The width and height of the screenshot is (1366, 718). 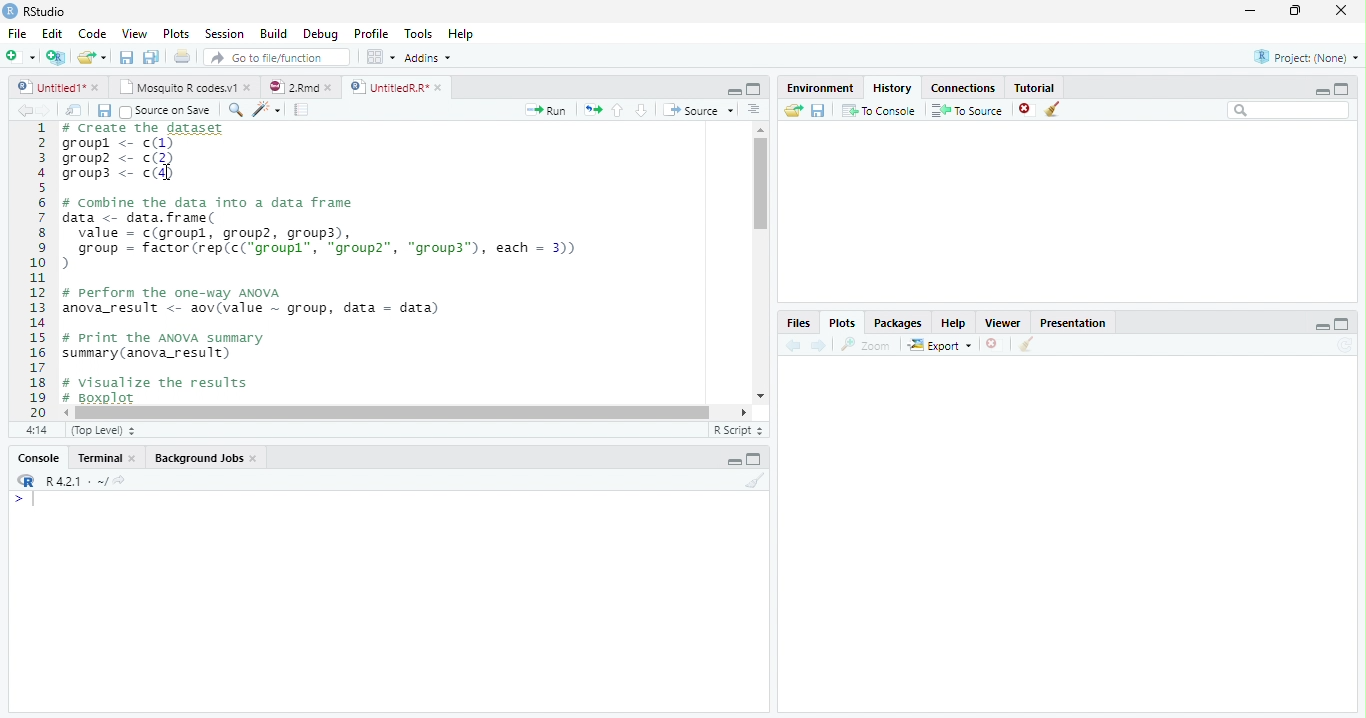 What do you see at coordinates (642, 111) in the screenshot?
I see `Go to next section ` at bounding box center [642, 111].